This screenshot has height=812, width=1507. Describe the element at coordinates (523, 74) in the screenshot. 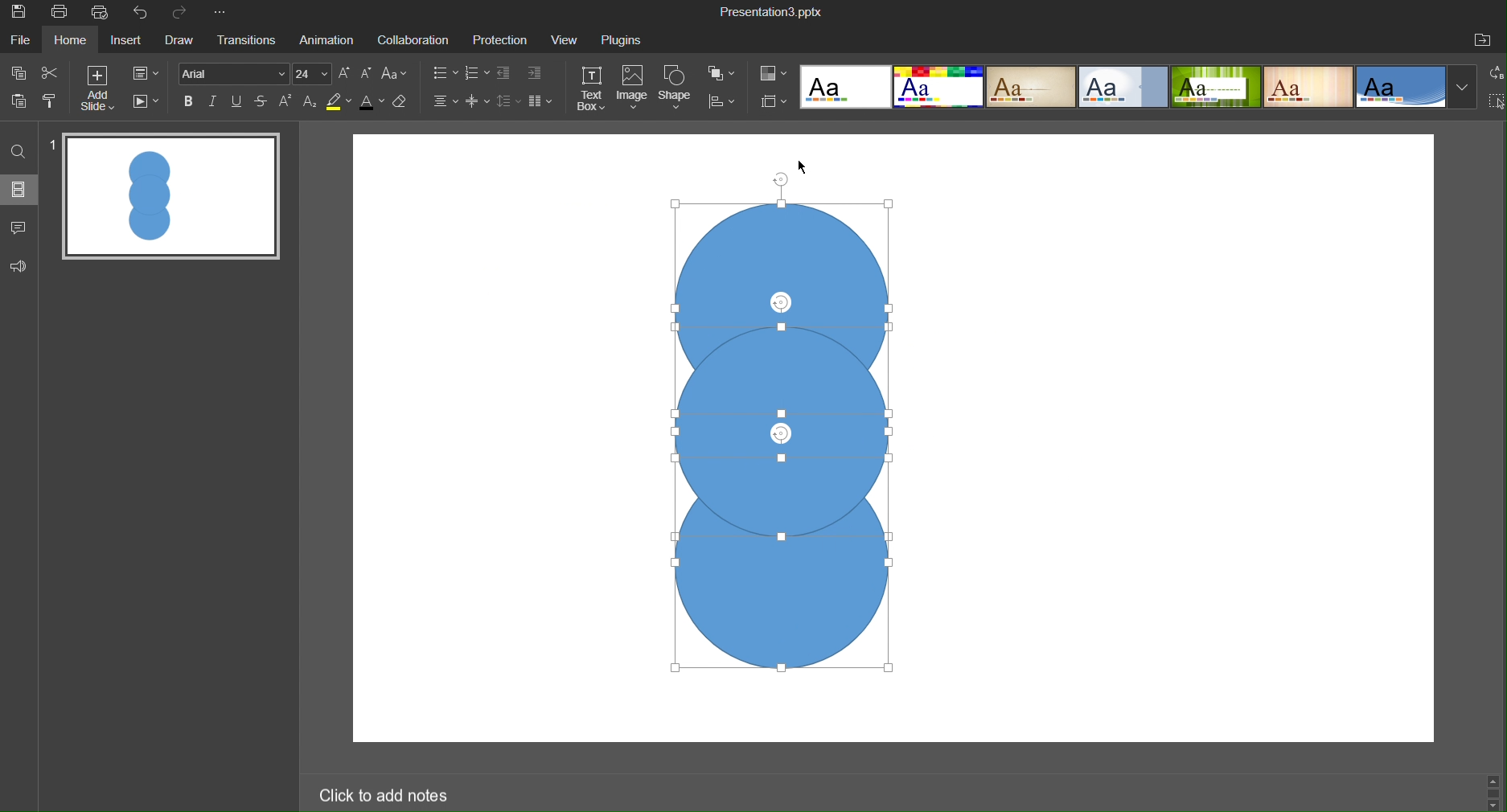

I see `Indents` at that location.